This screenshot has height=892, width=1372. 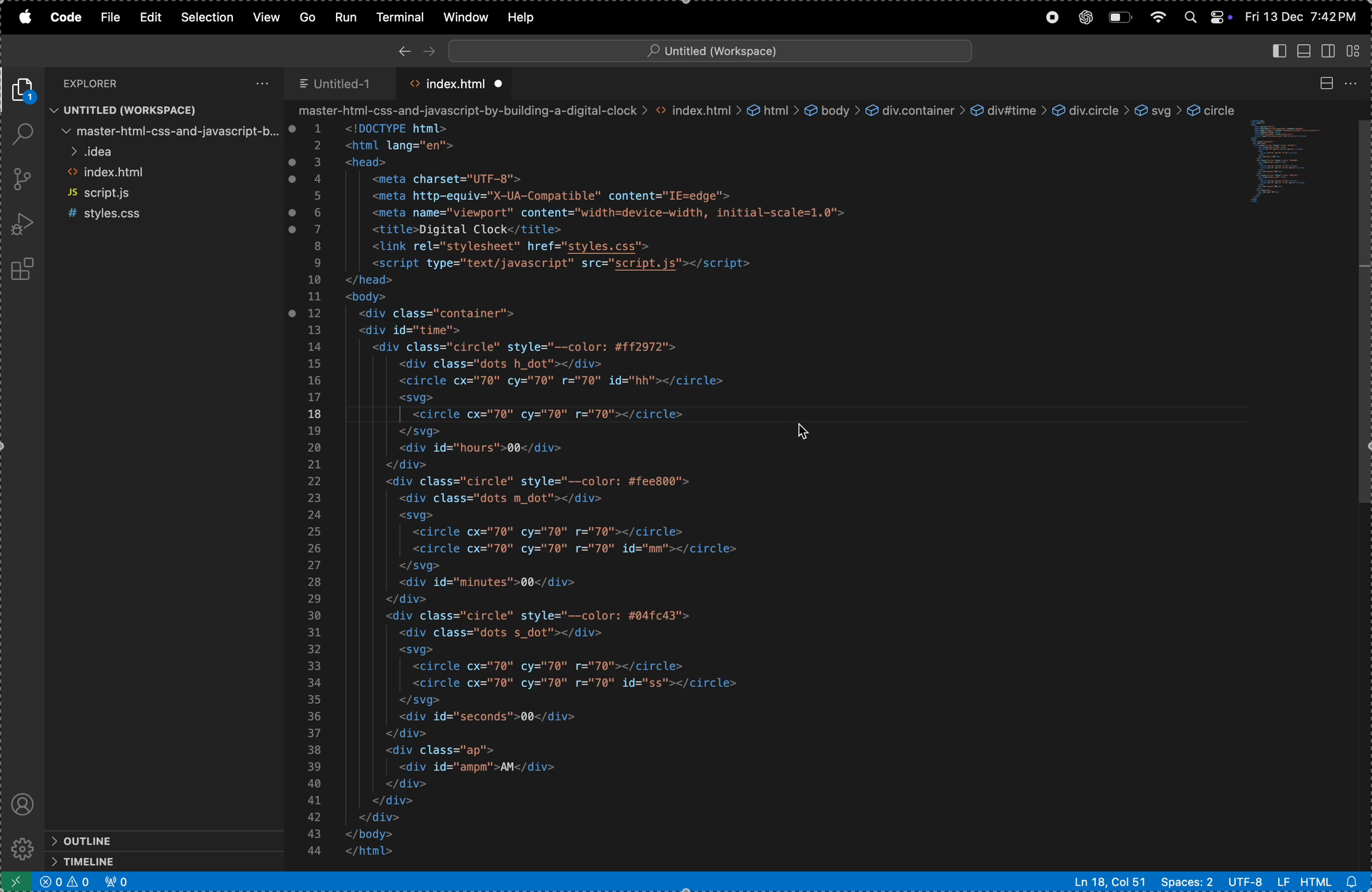 I want to click on wifi, so click(x=1159, y=18).